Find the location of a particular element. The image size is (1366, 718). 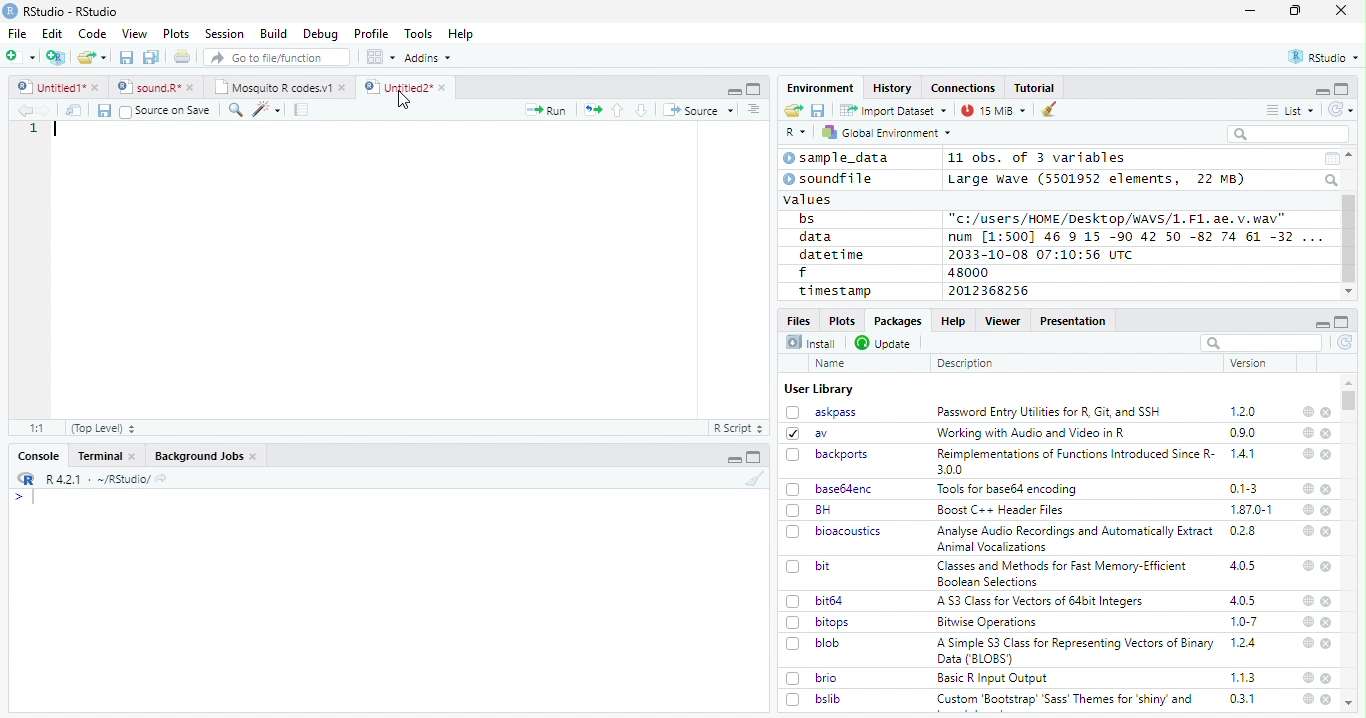

Go to next section is located at coordinates (644, 110).